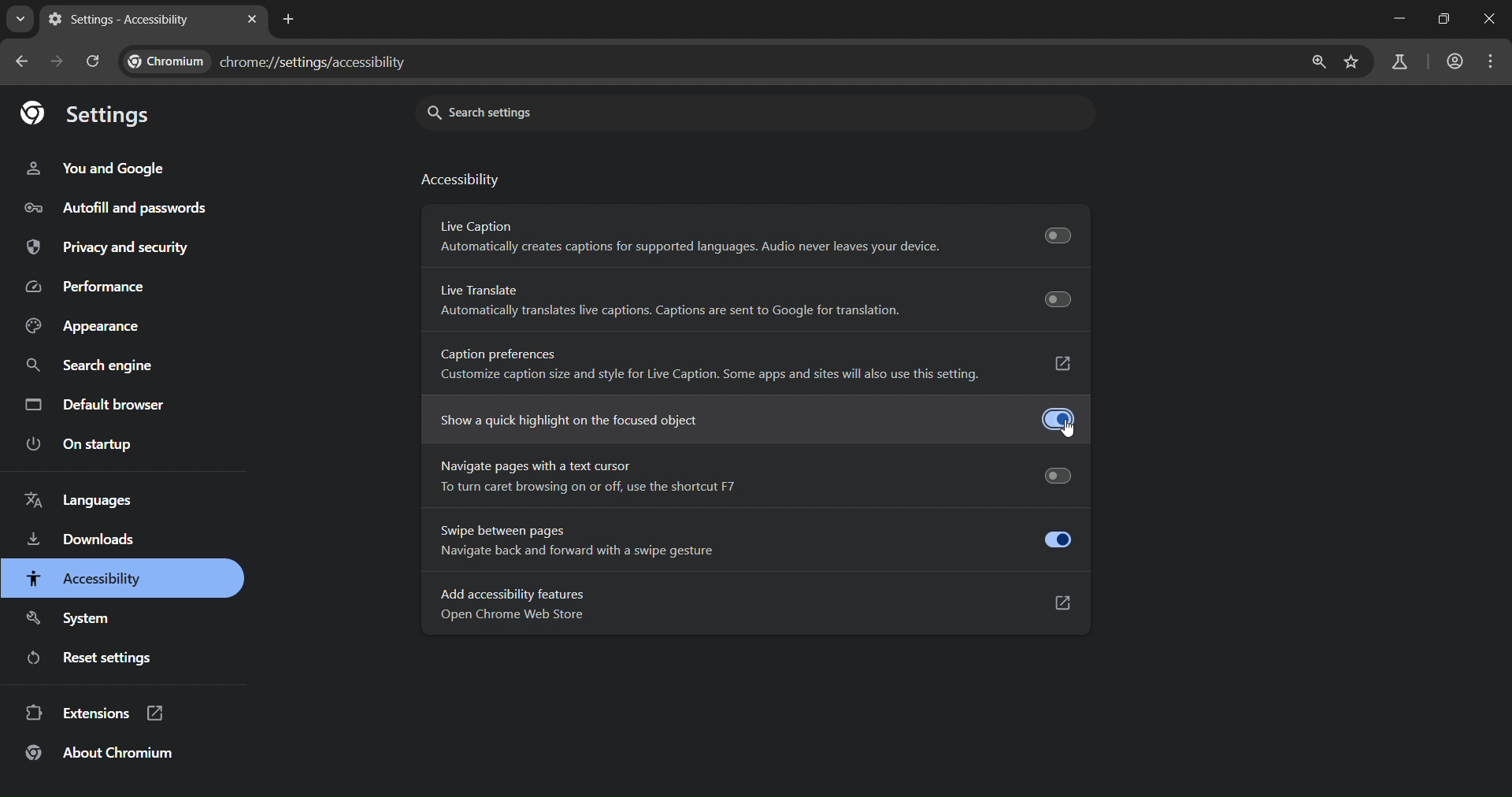 The height and width of the screenshot is (797, 1512). What do you see at coordinates (1457, 61) in the screenshot?
I see `accounts` at bounding box center [1457, 61].